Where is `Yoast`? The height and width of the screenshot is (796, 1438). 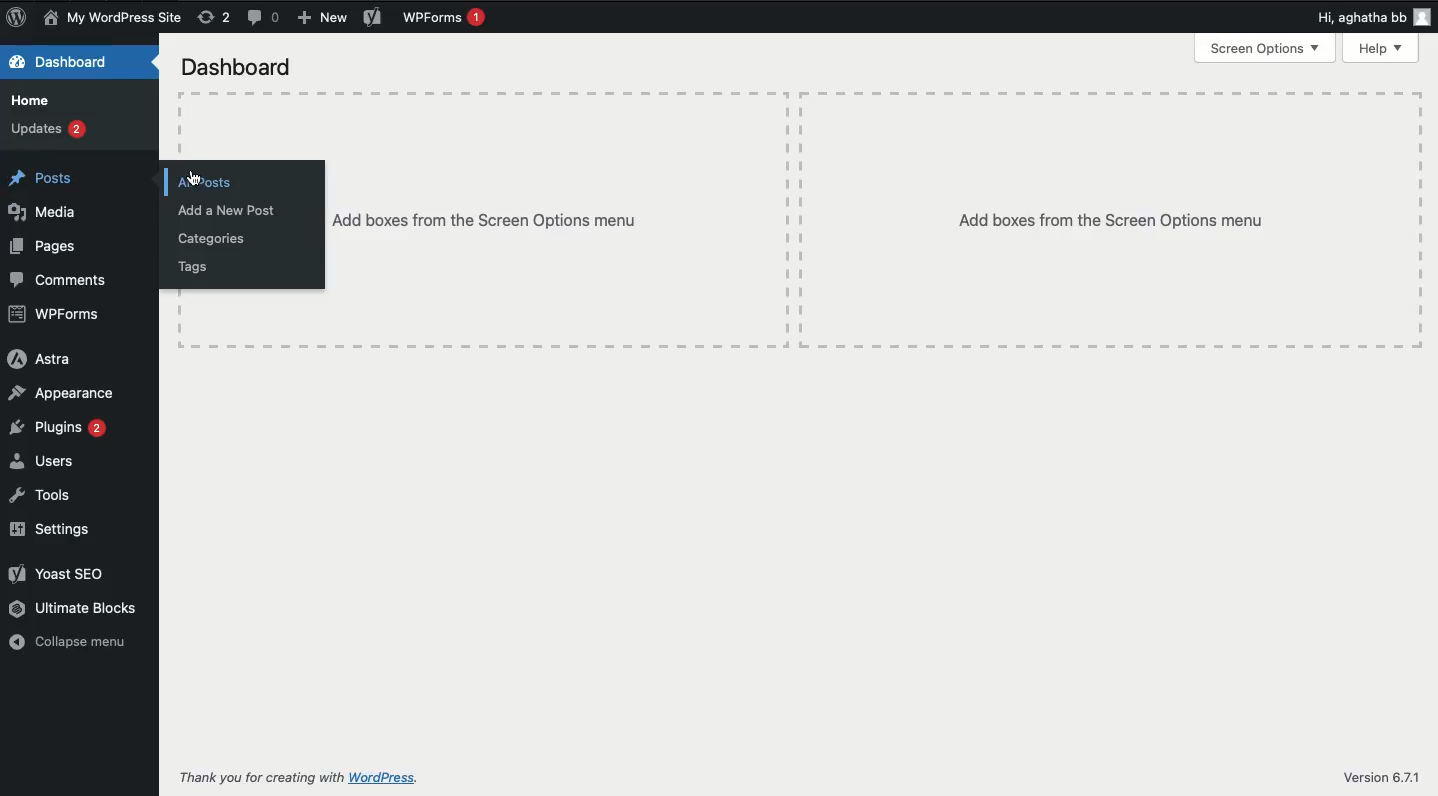 Yoast is located at coordinates (372, 18).